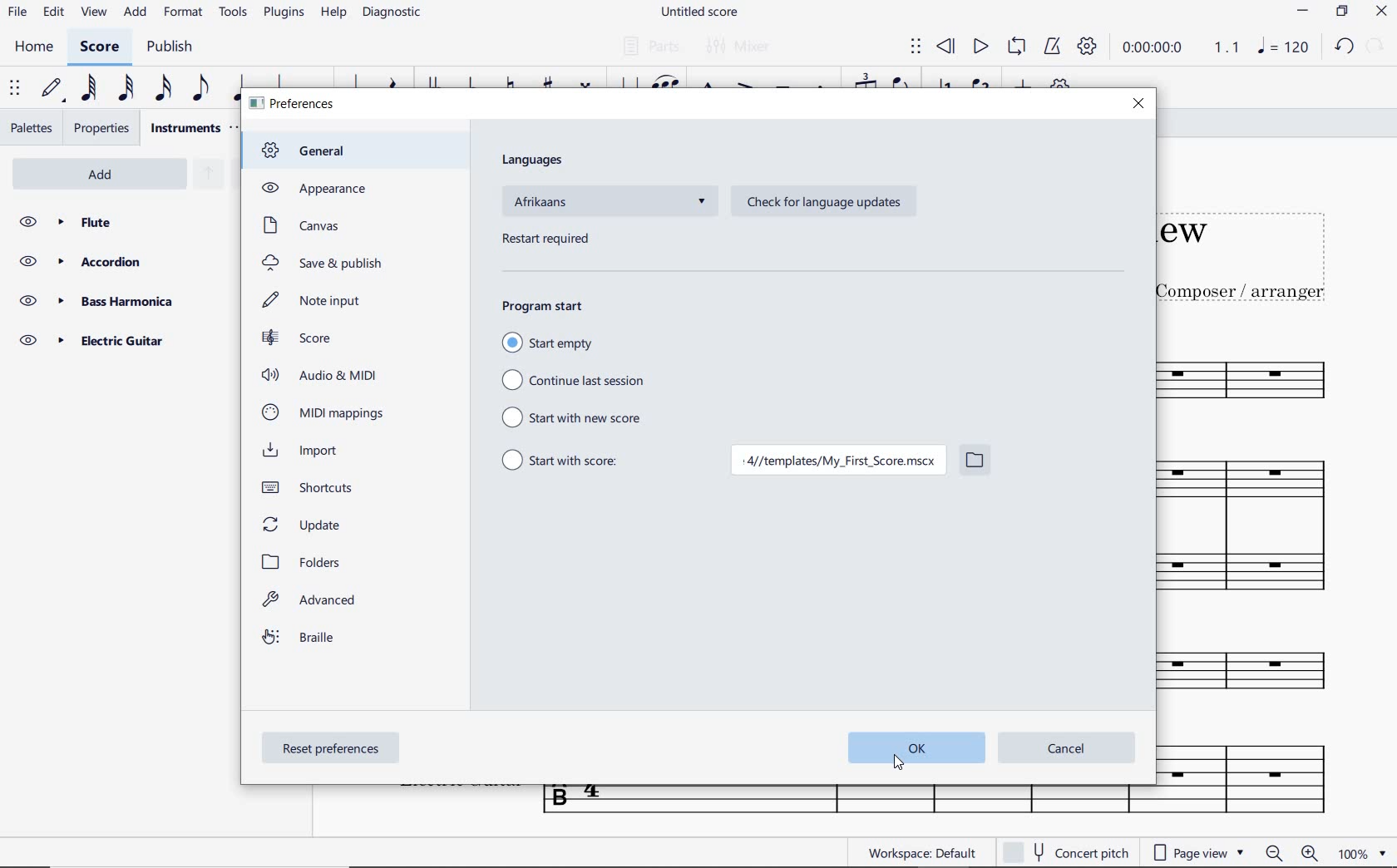 Image resolution: width=1397 pixels, height=868 pixels. I want to click on playback settings, so click(1088, 50).